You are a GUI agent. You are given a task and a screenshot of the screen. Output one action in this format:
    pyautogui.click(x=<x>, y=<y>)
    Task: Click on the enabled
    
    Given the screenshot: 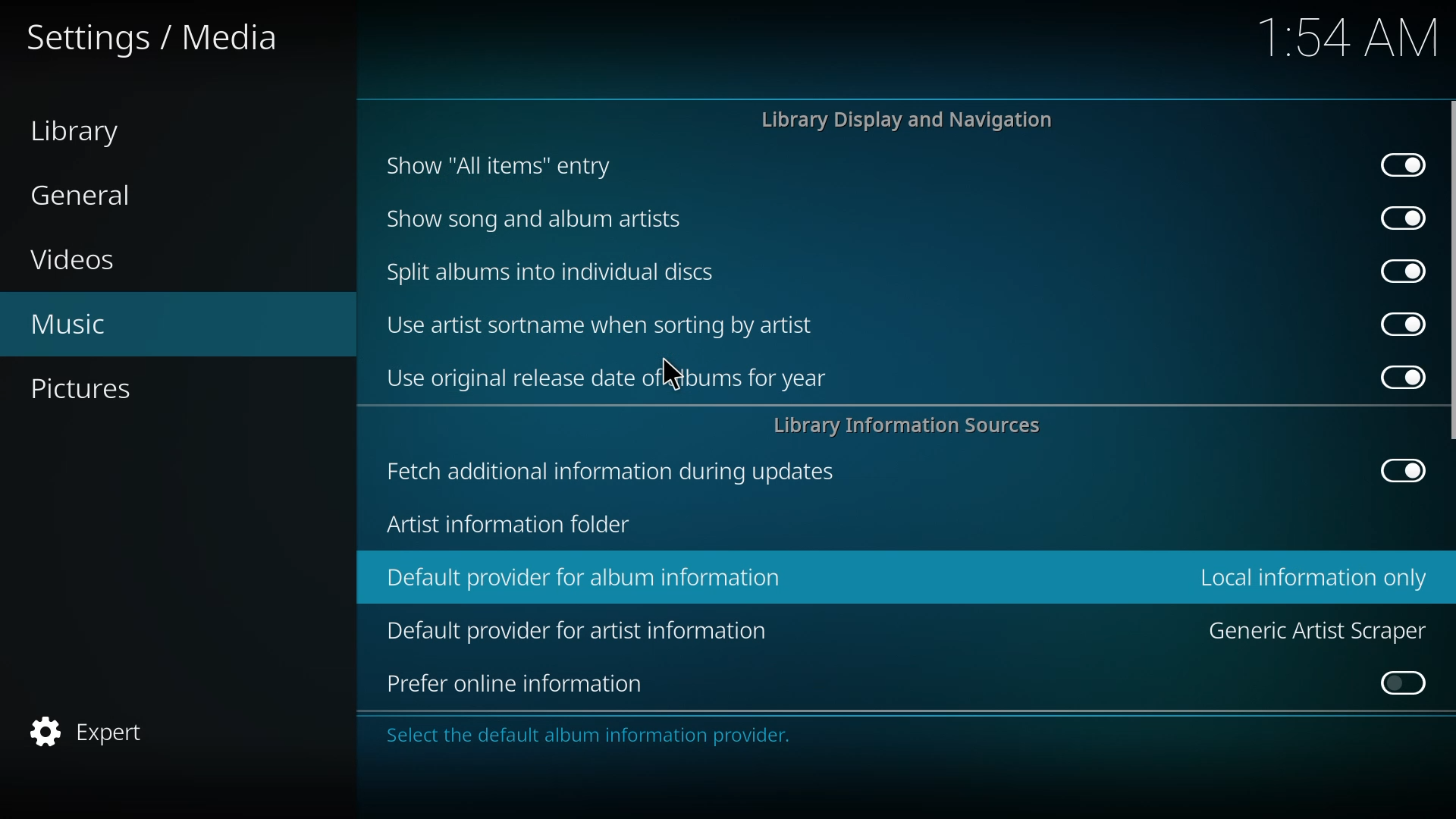 What is the action you would take?
    pyautogui.click(x=1399, y=323)
    